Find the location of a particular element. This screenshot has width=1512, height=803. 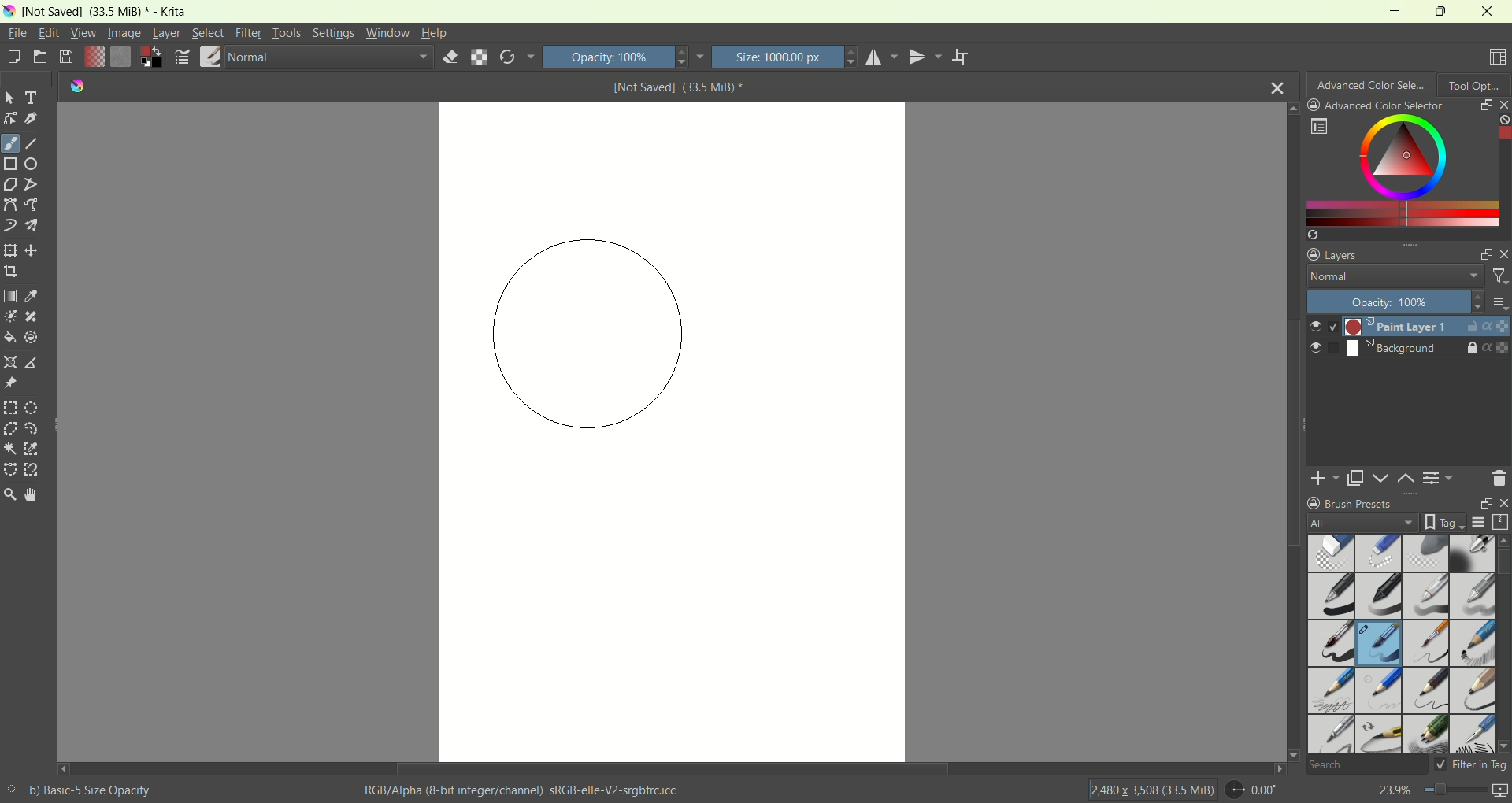

options is located at coordinates (1318, 127).